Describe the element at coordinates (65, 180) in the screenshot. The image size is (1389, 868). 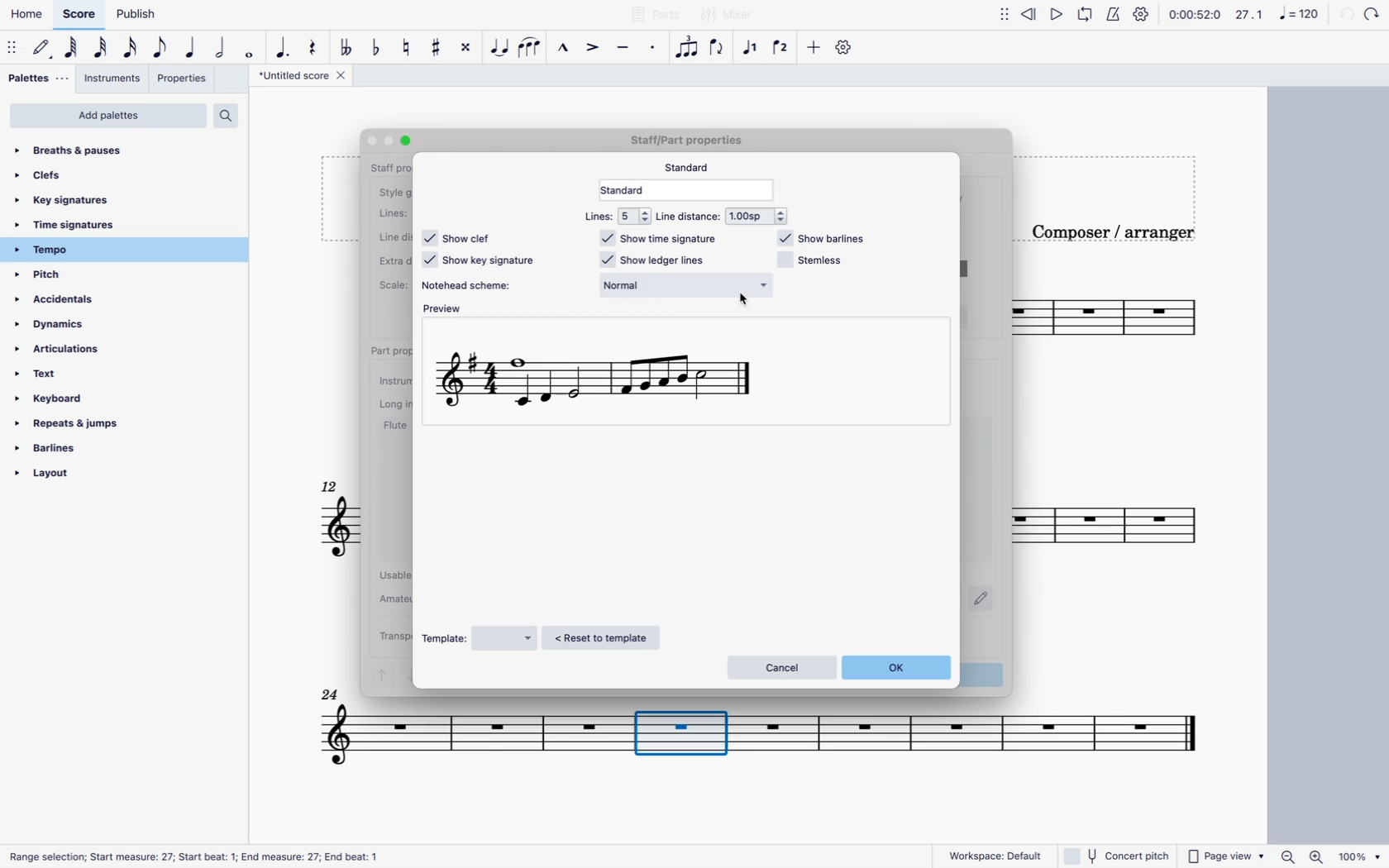
I see `clefs` at that location.